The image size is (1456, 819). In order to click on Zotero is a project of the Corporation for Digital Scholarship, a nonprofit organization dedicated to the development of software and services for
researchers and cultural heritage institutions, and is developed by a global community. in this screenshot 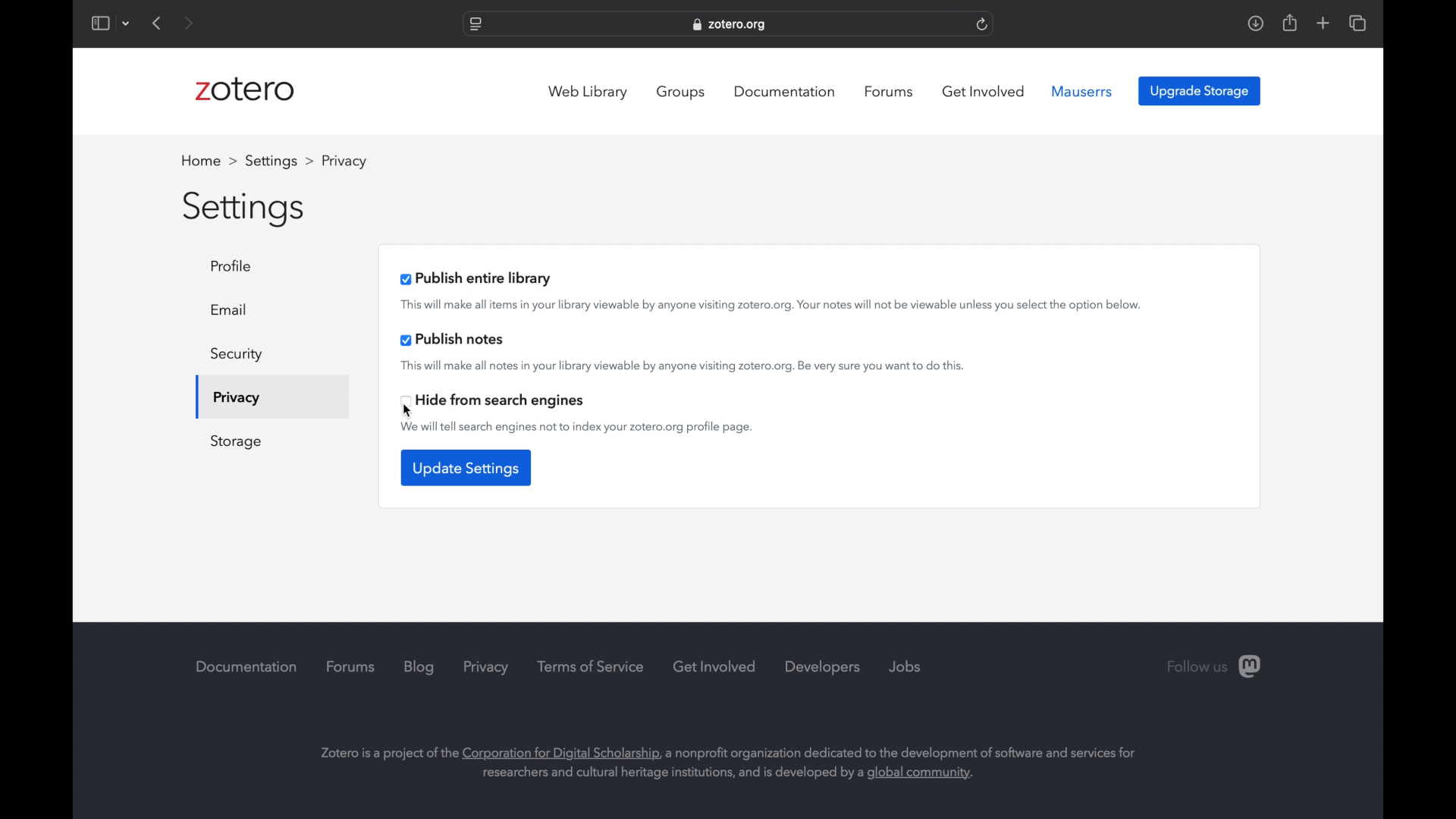, I will do `click(759, 763)`.